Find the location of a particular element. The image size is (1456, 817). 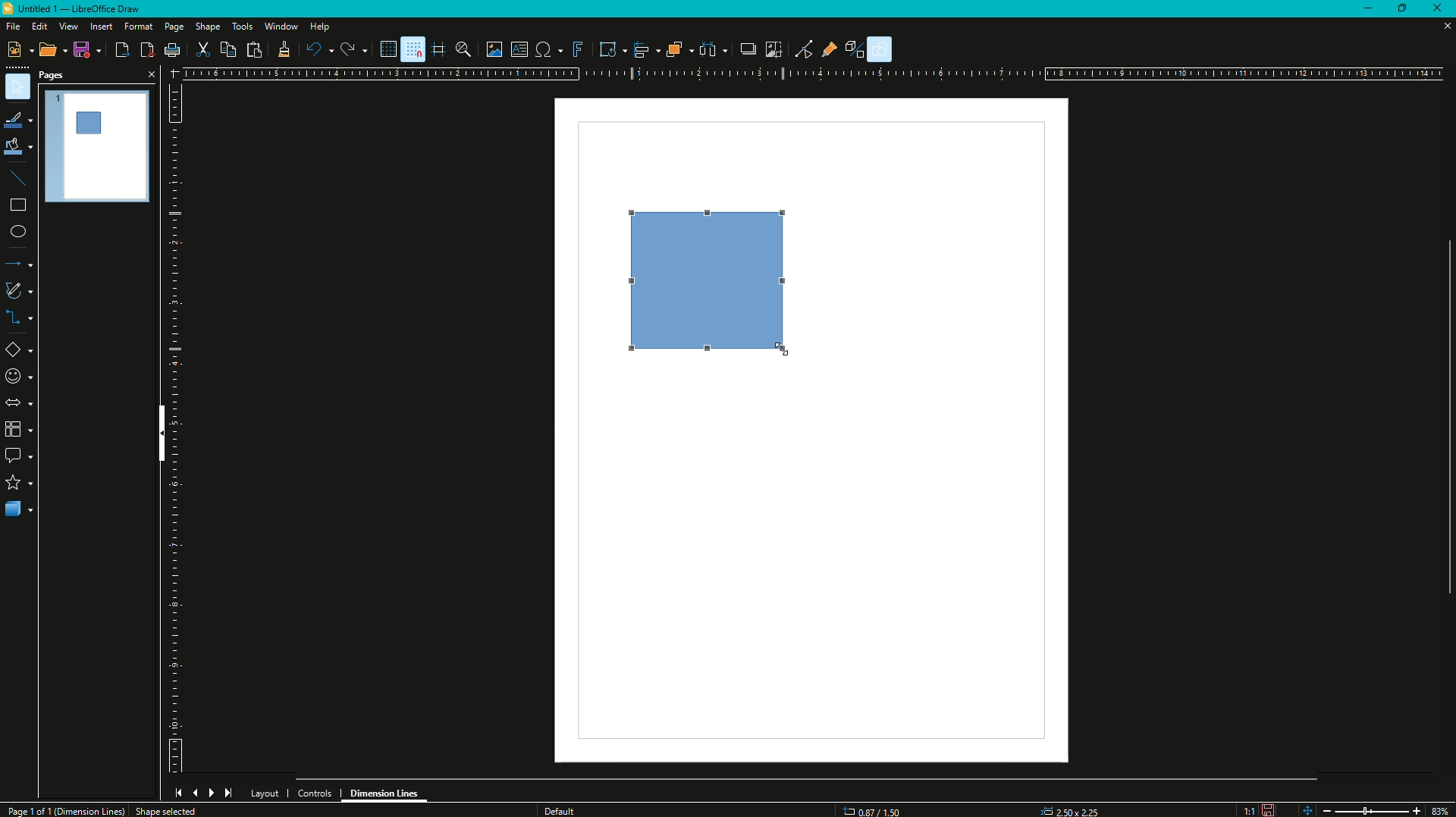

Print is located at coordinates (172, 52).